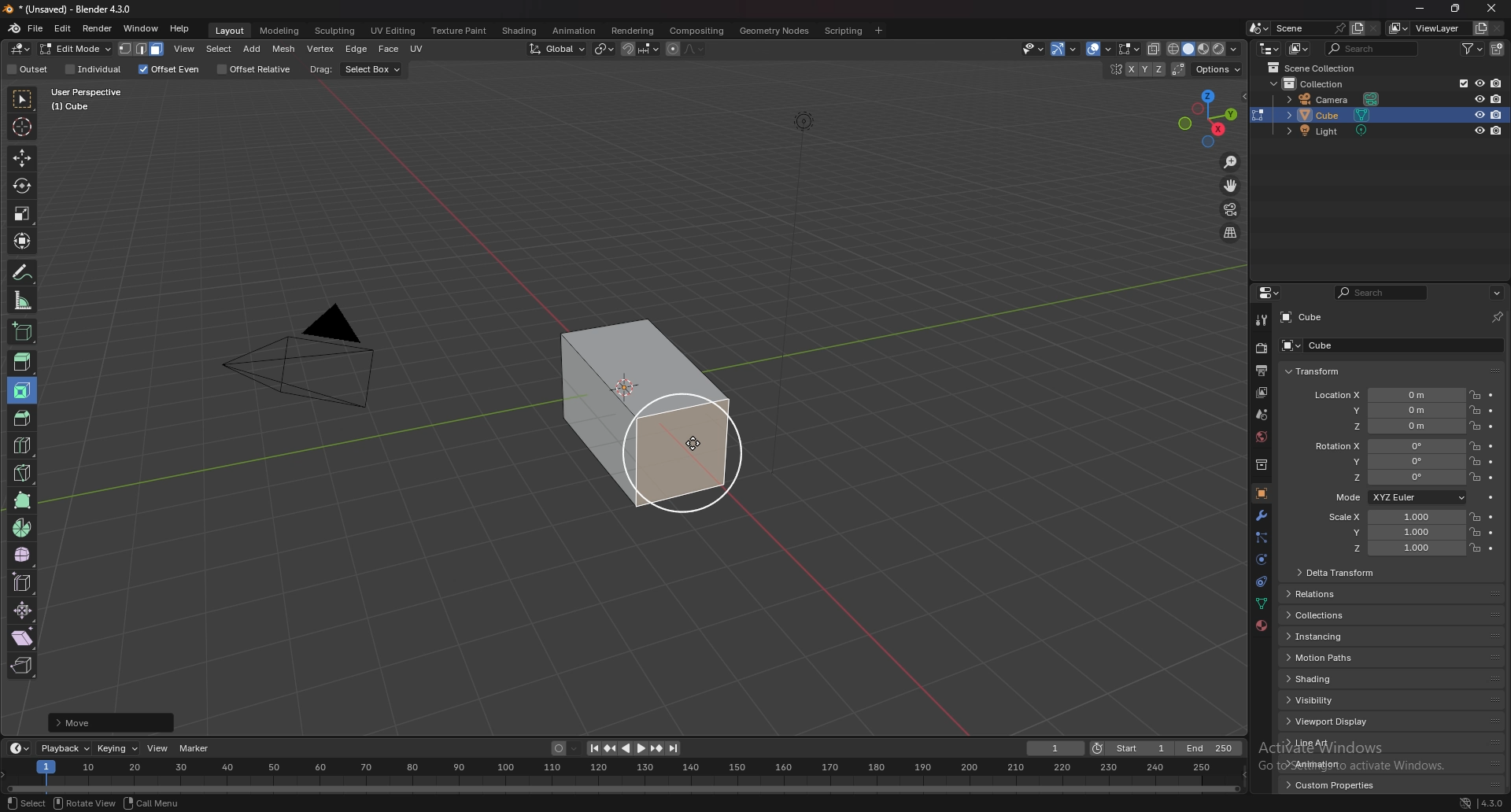 The width and height of the screenshot is (1511, 812). What do you see at coordinates (1491, 518) in the screenshot?
I see `animate property` at bounding box center [1491, 518].